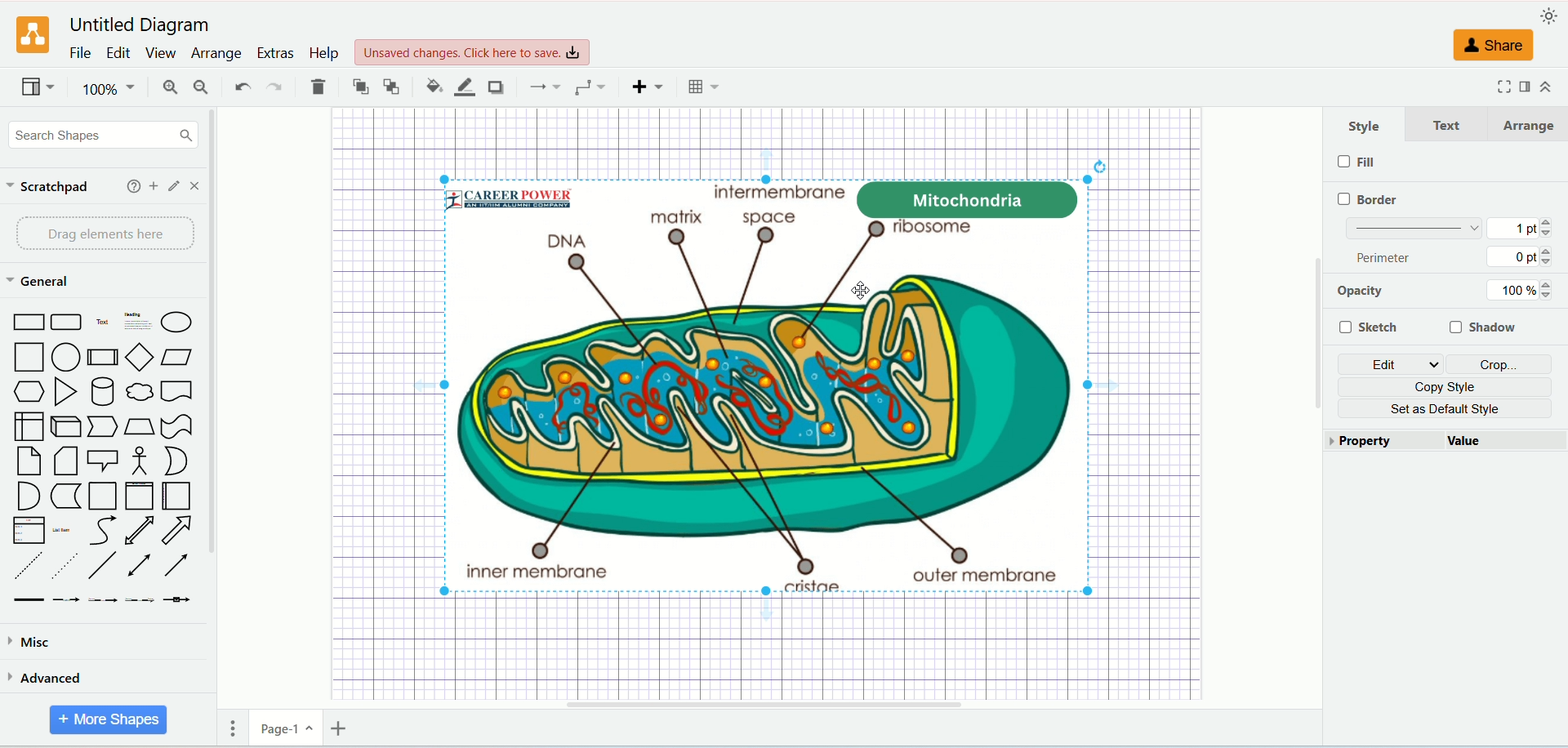  I want to click on to back, so click(391, 87).